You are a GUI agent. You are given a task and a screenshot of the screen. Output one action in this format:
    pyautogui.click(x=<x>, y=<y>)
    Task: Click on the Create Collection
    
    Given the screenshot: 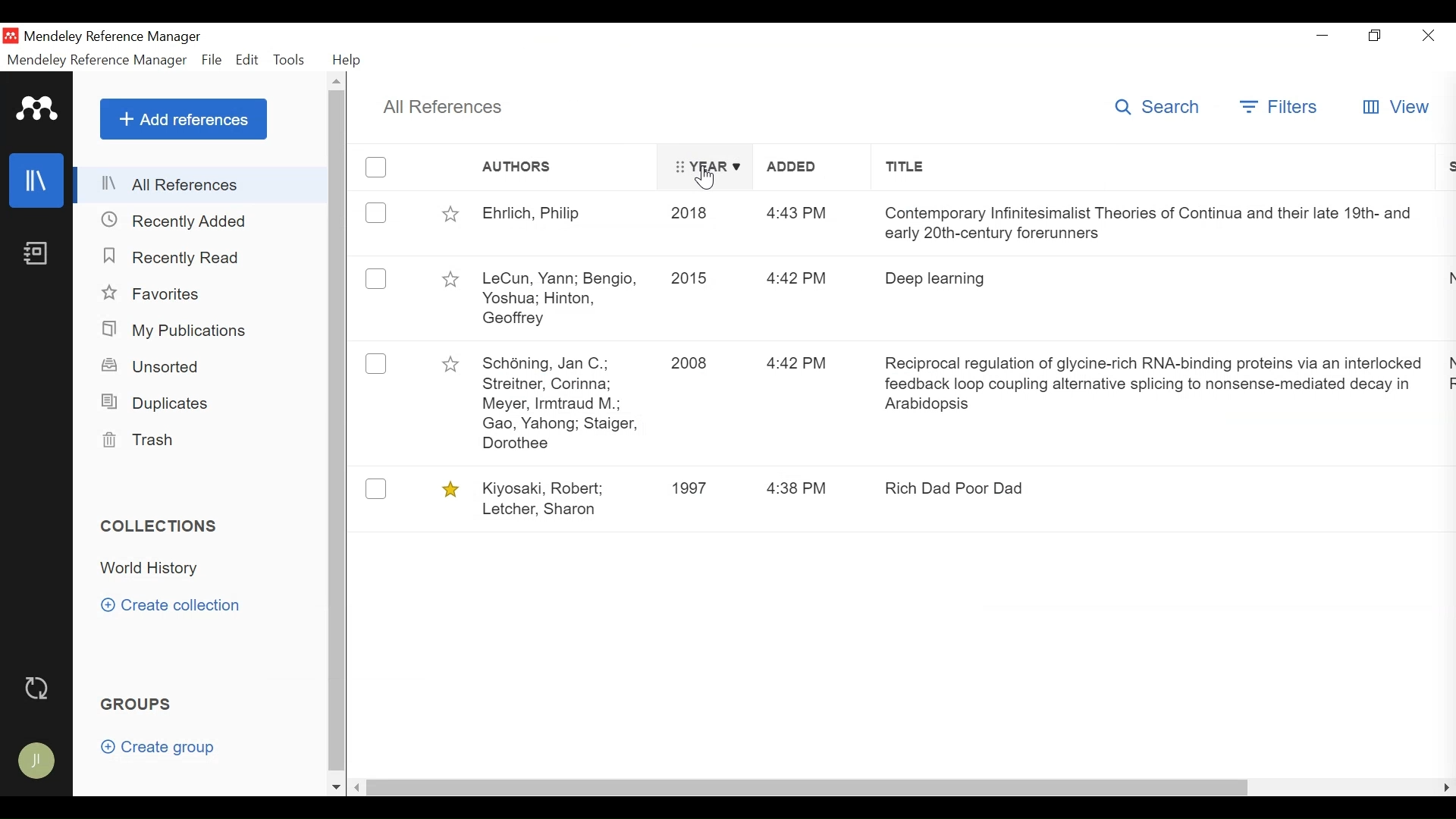 What is the action you would take?
    pyautogui.click(x=177, y=605)
    